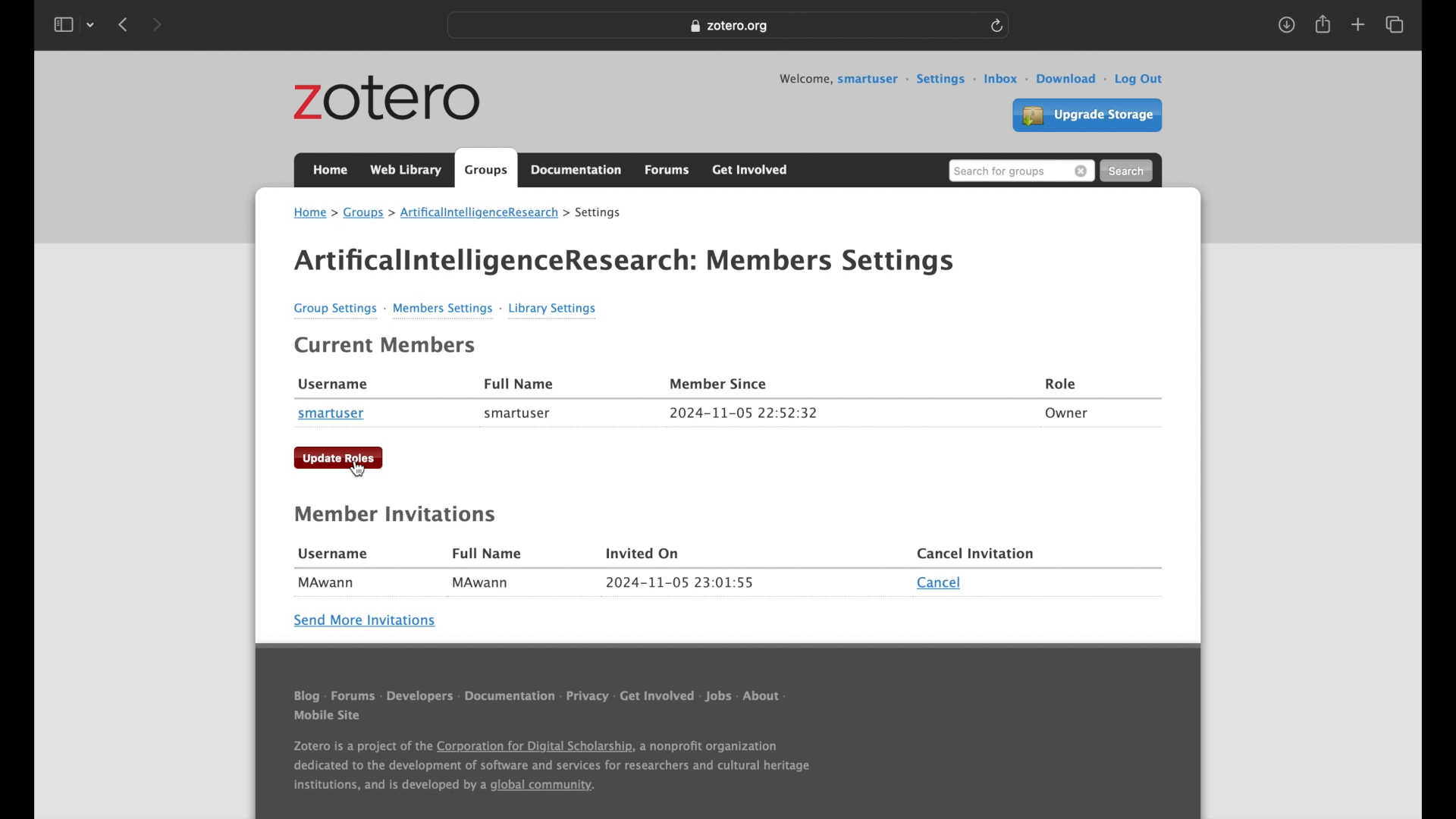 Image resolution: width=1456 pixels, height=819 pixels. What do you see at coordinates (74, 25) in the screenshot?
I see `show sidebar dropdown menu` at bounding box center [74, 25].